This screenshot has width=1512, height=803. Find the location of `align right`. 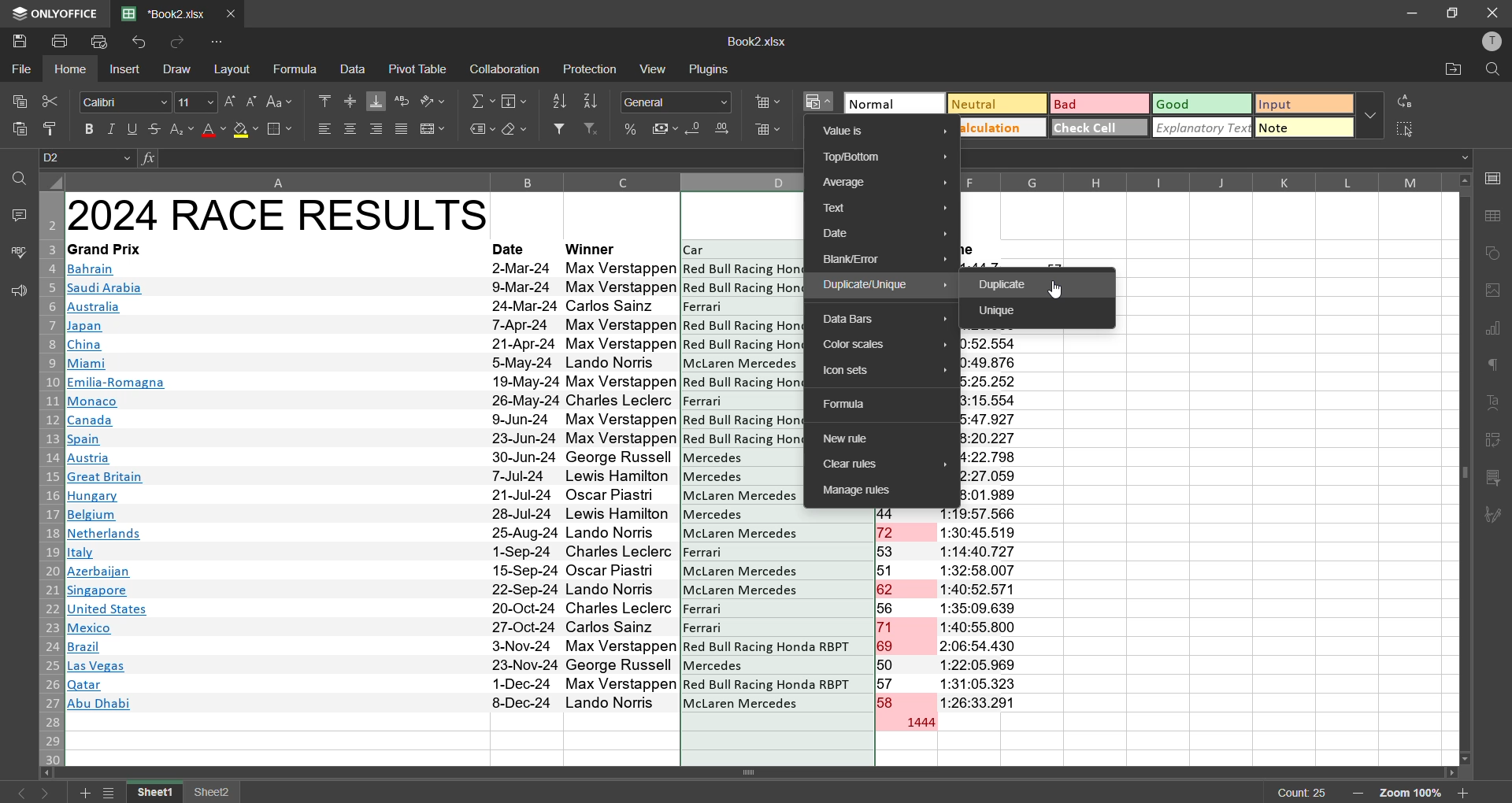

align right is located at coordinates (380, 128).